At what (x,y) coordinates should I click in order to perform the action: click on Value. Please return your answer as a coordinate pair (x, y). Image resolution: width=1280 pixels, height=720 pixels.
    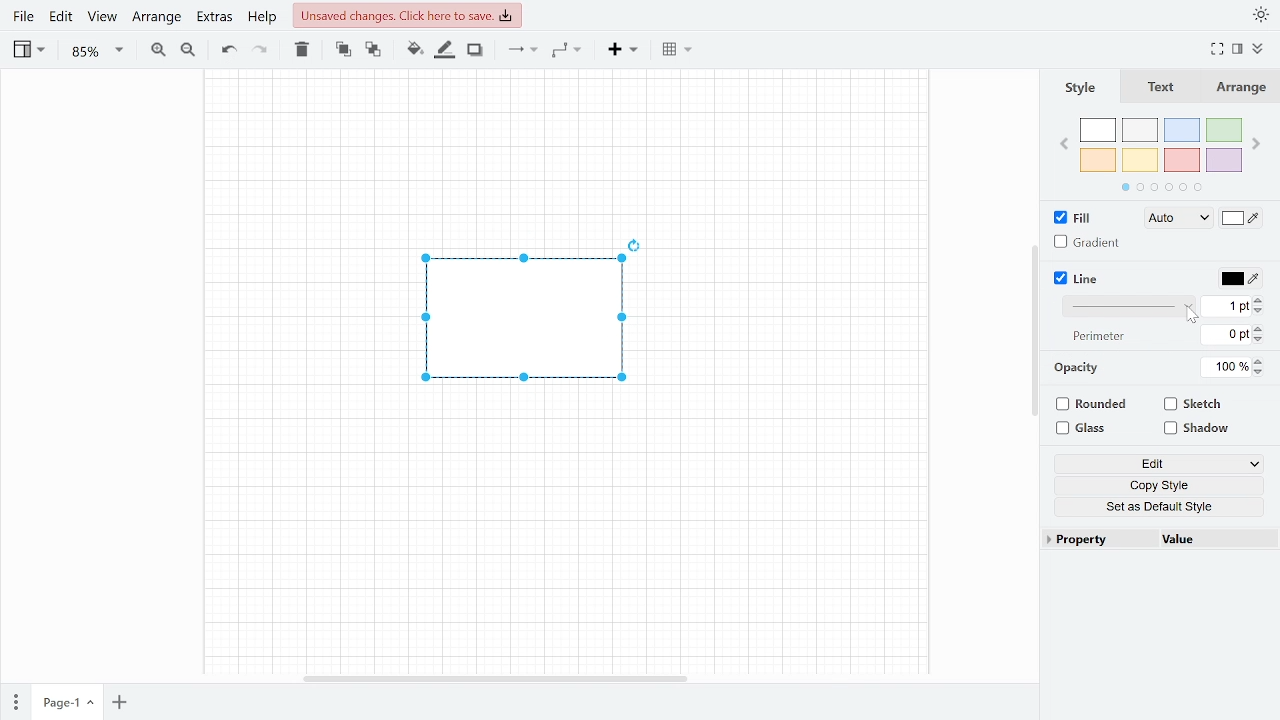
    Looking at the image, I should click on (1212, 541).